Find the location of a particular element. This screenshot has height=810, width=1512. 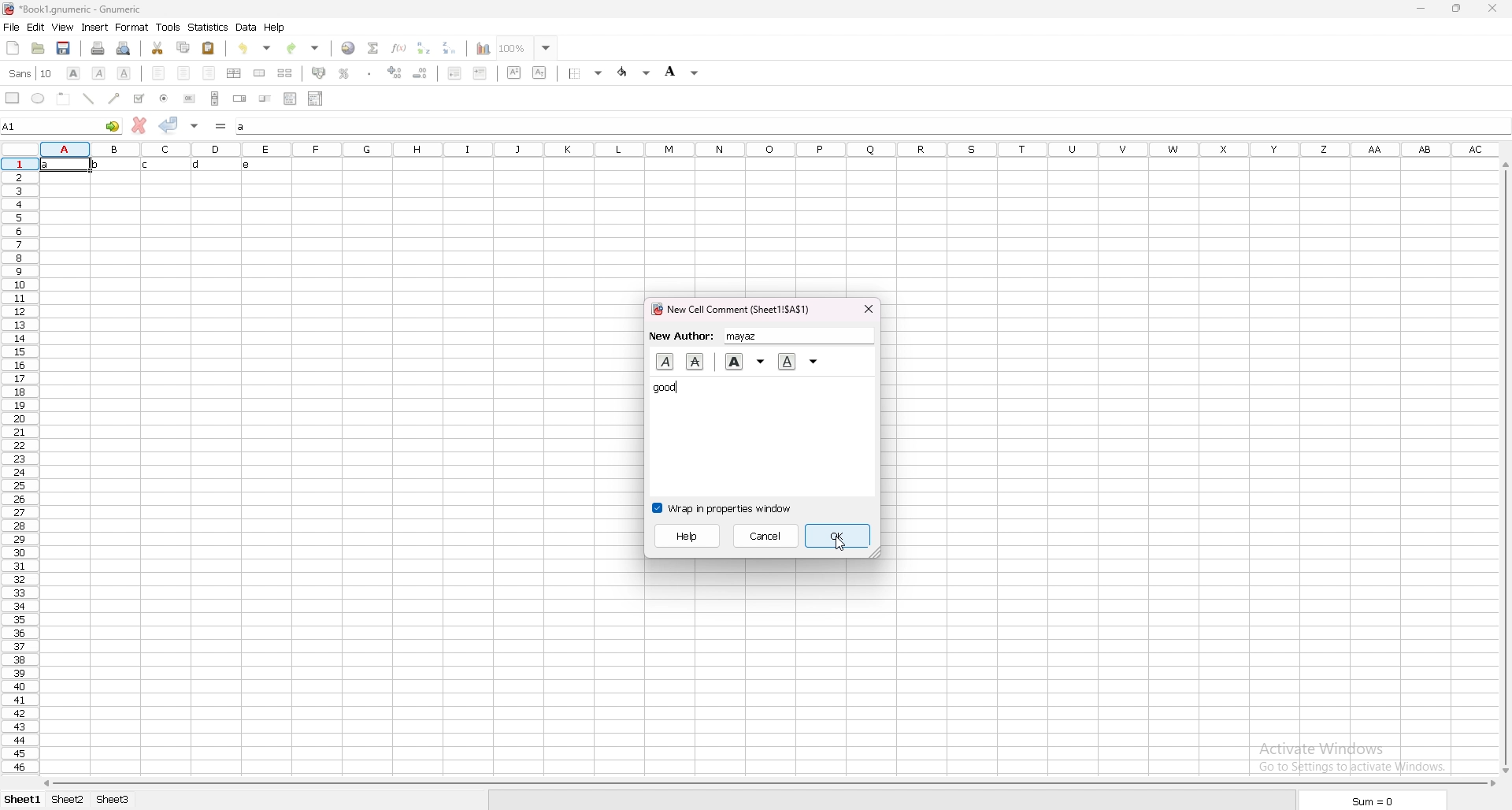

underline is located at coordinates (800, 361).